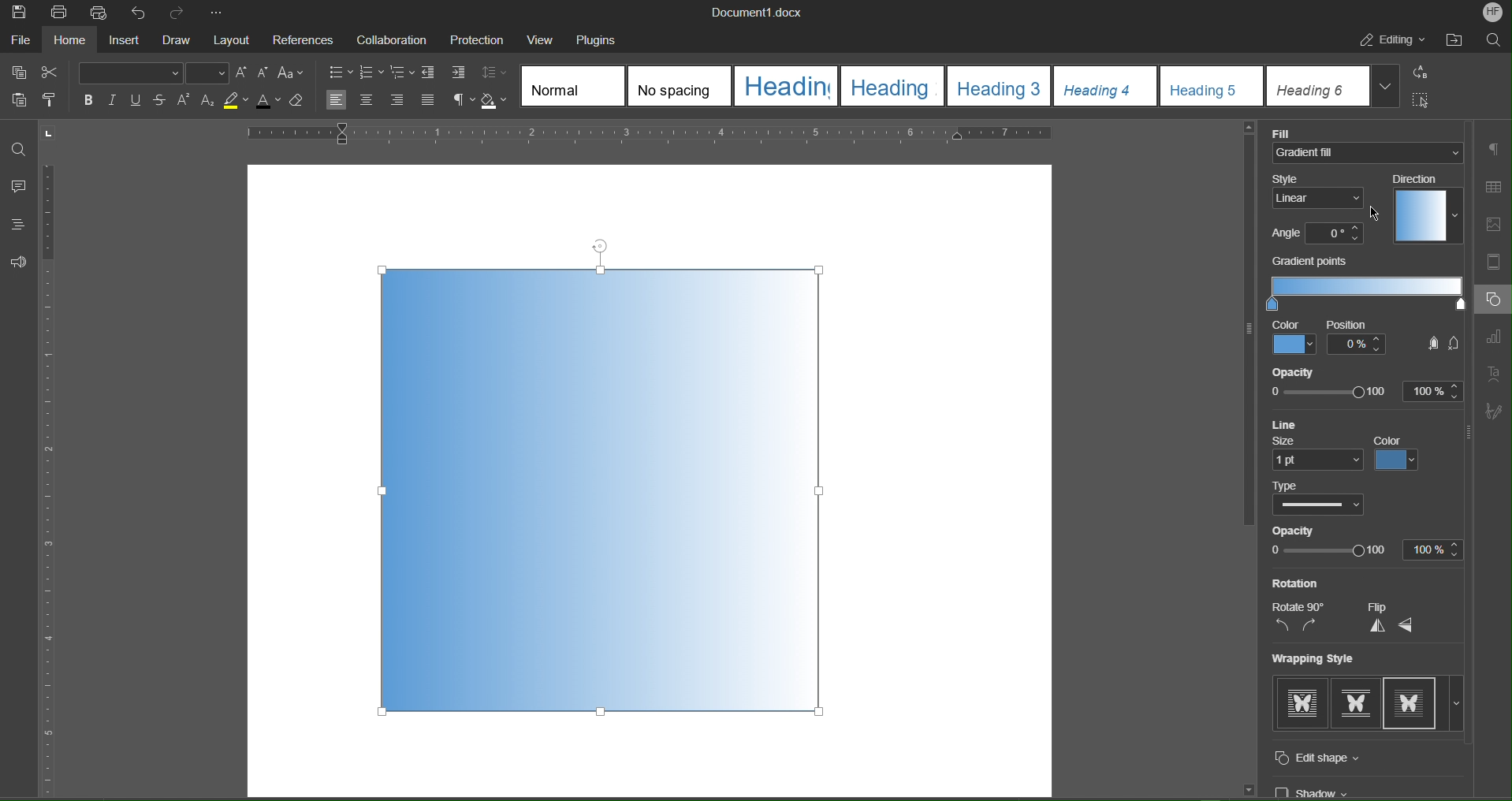  What do you see at coordinates (1418, 628) in the screenshot?
I see `Flip horizontally` at bounding box center [1418, 628].